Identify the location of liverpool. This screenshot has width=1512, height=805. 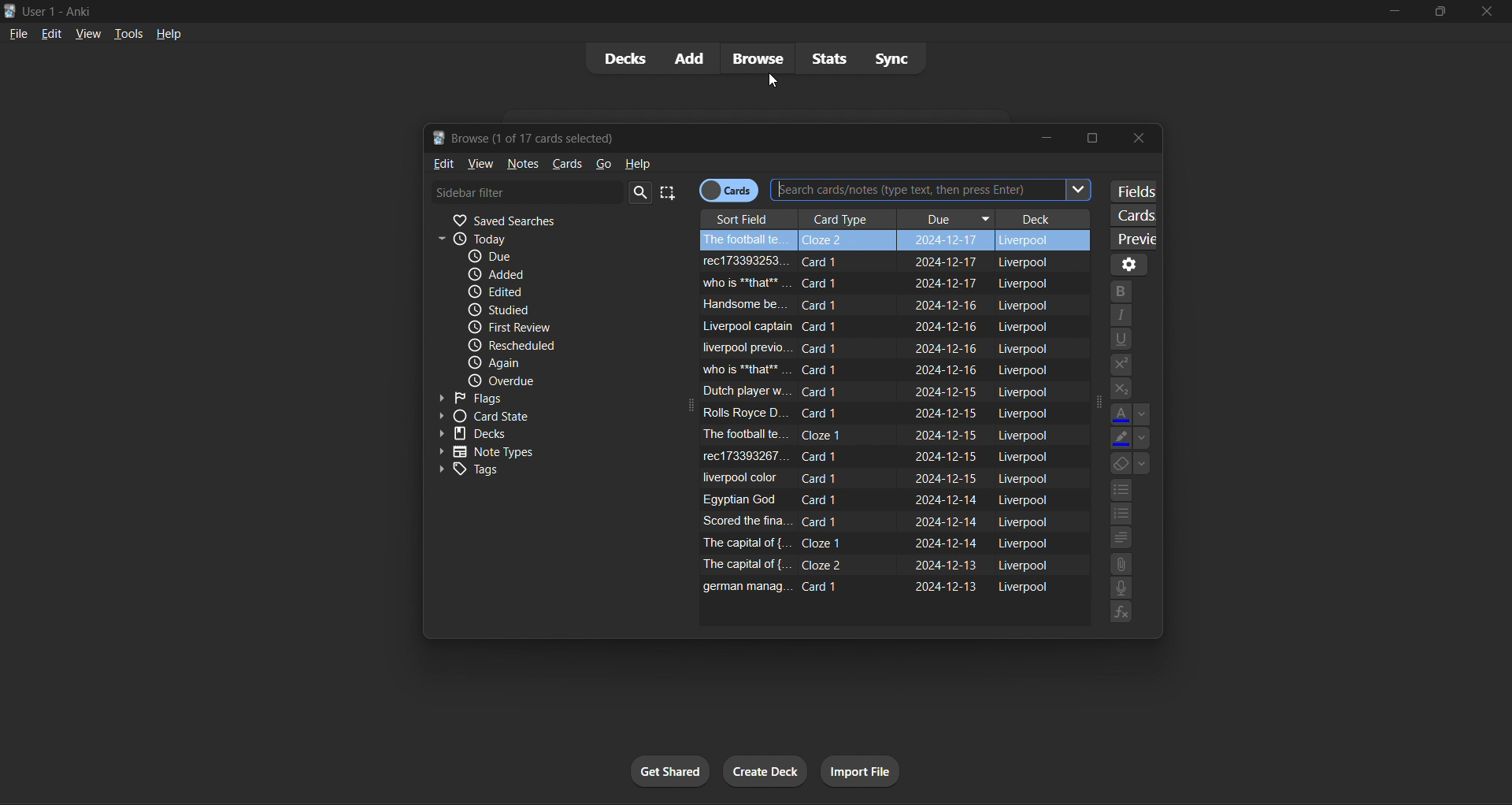
(1034, 327).